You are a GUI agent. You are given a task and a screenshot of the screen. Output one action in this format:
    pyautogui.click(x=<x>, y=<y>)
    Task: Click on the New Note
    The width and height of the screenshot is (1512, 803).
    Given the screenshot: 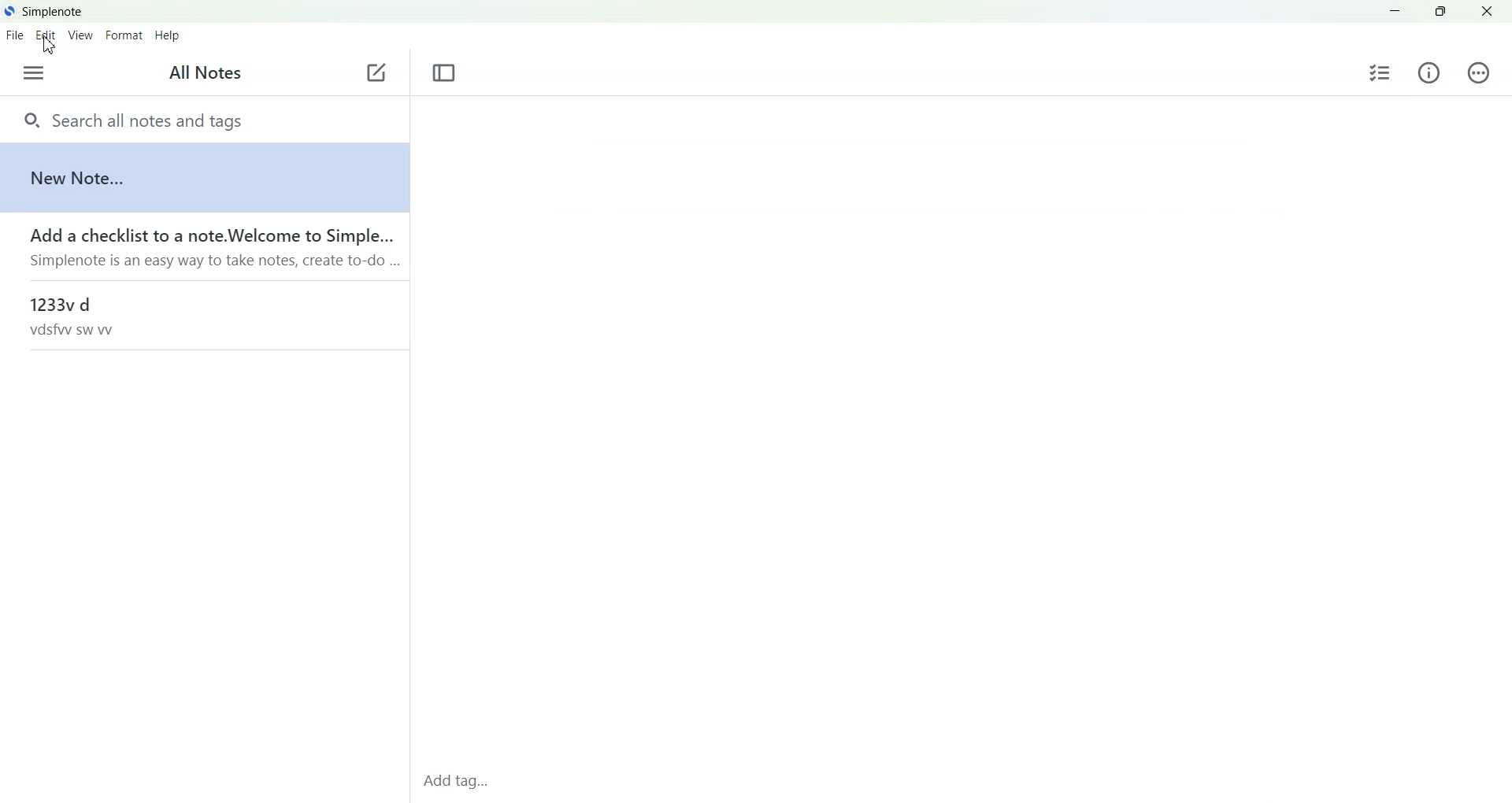 What is the action you would take?
    pyautogui.click(x=203, y=176)
    